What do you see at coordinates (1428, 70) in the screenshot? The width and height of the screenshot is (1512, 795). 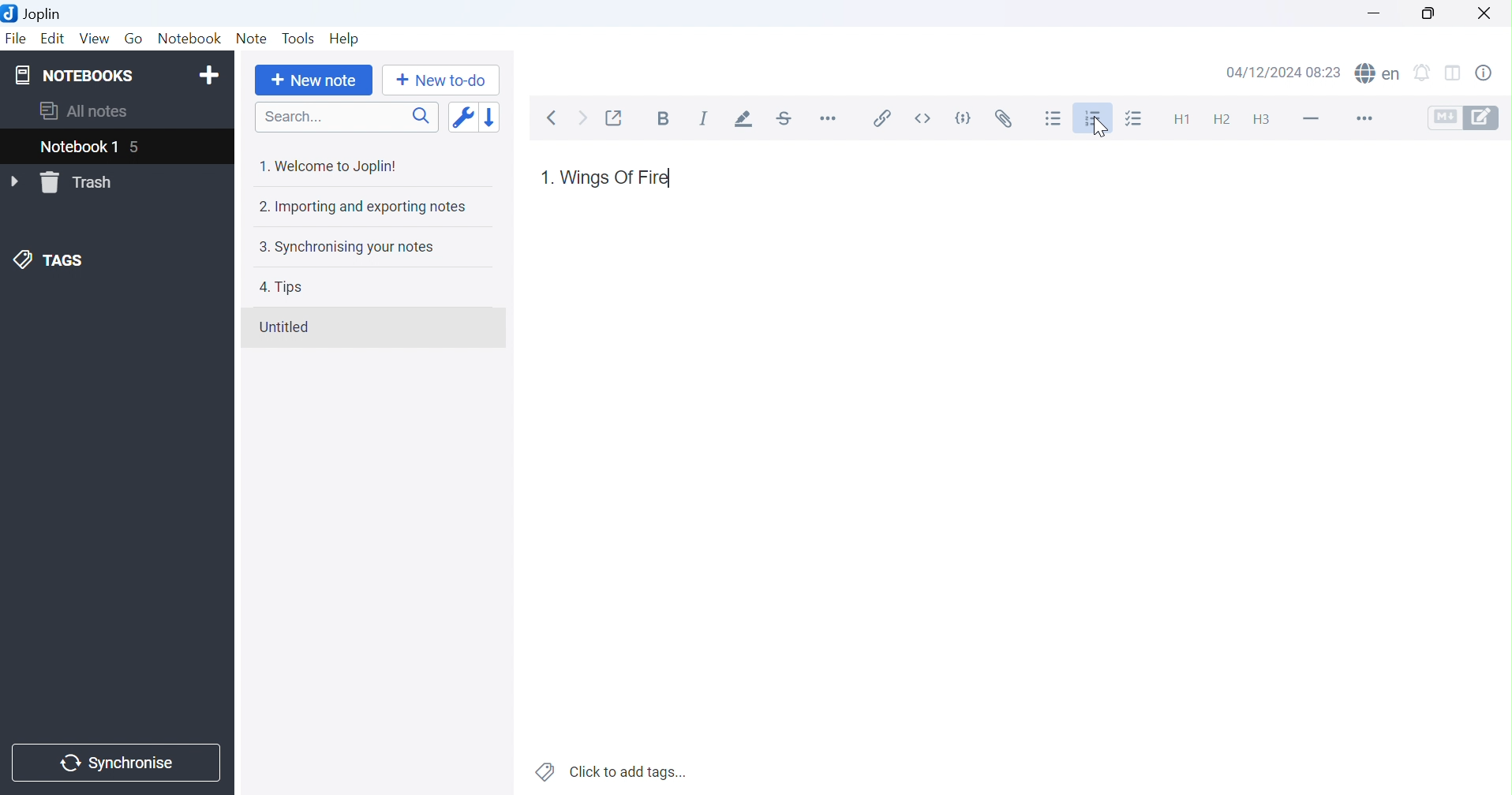 I see `Set alarm` at bounding box center [1428, 70].